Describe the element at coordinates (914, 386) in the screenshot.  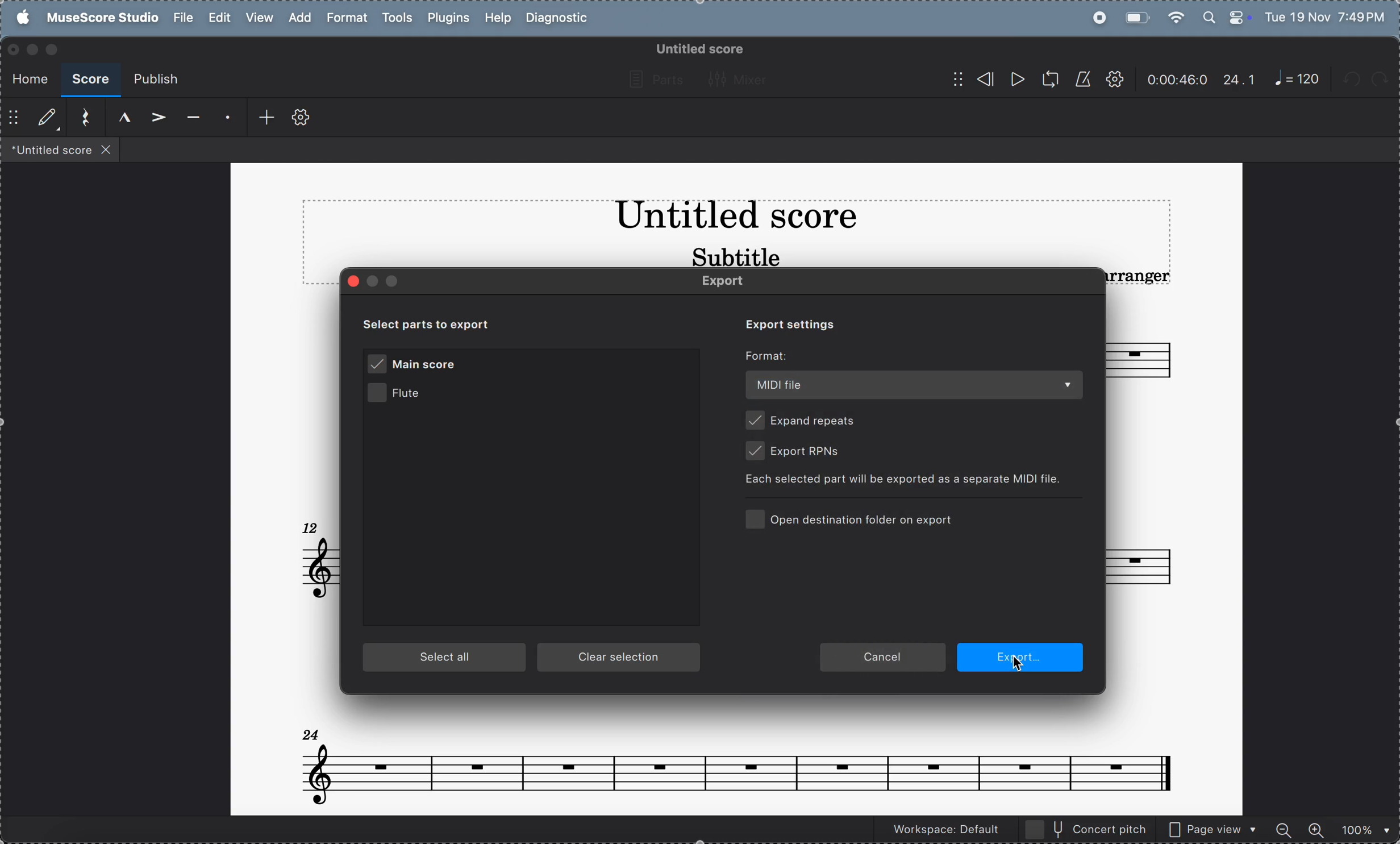
I see `MIDI file` at that location.